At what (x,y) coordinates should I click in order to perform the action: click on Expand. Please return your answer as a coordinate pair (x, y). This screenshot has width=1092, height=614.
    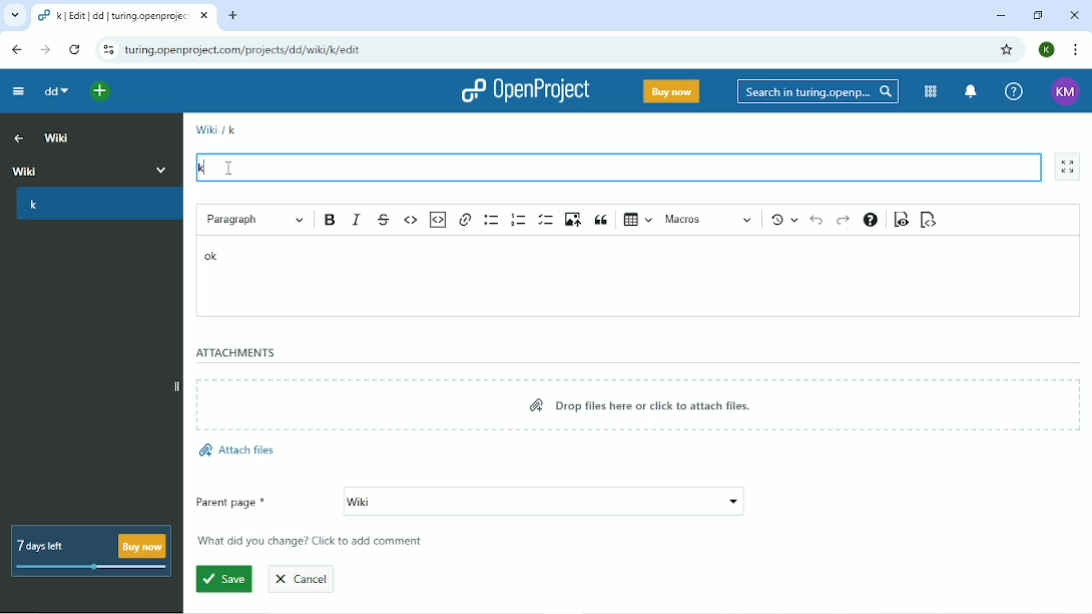
    Looking at the image, I should click on (176, 385).